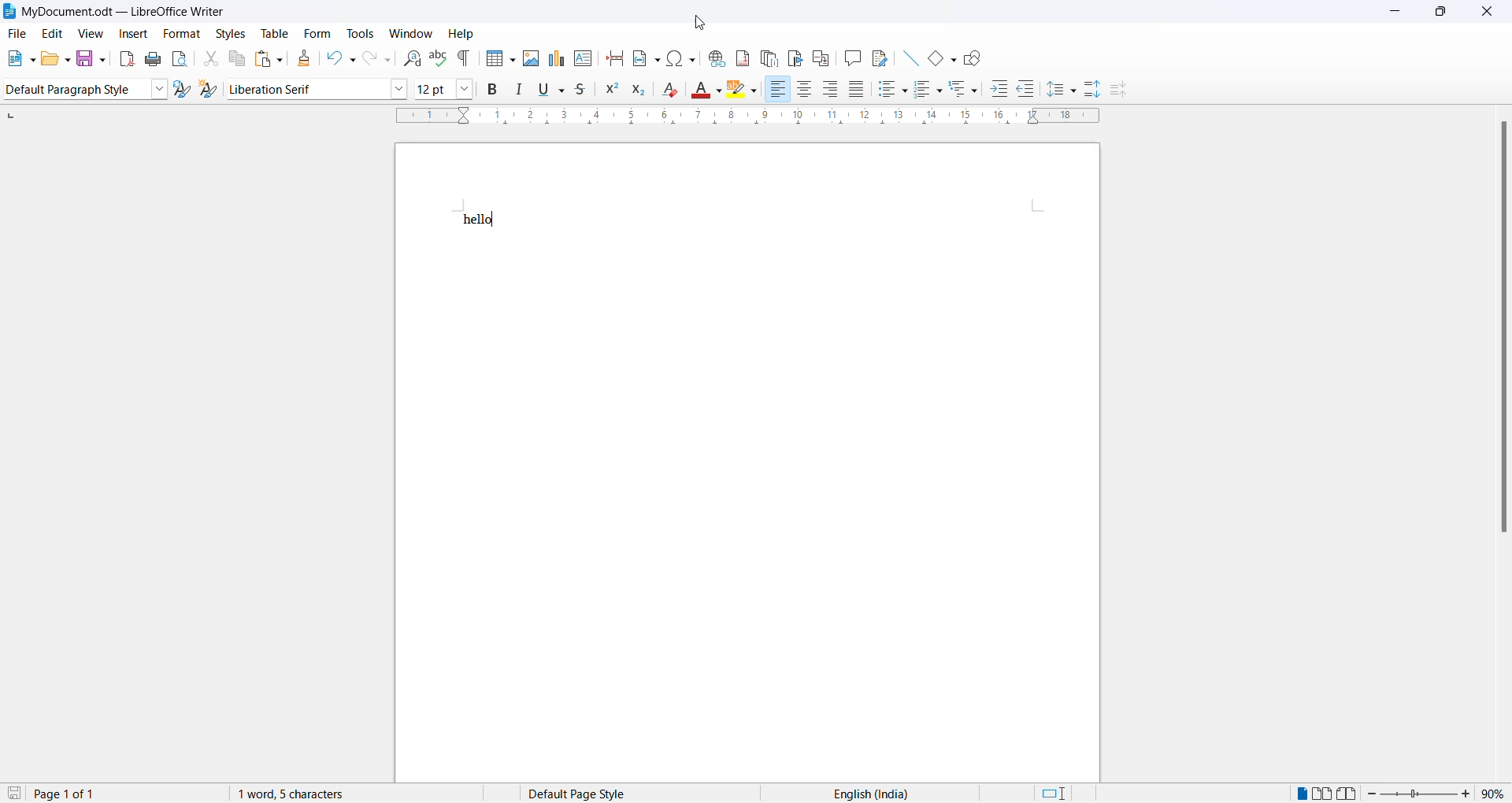 Image resolution: width=1512 pixels, height=803 pixels. What do you see at coordinates (739, 57) in the screenshot?
I see `Insert footnote` at bounding box center [739, 57].